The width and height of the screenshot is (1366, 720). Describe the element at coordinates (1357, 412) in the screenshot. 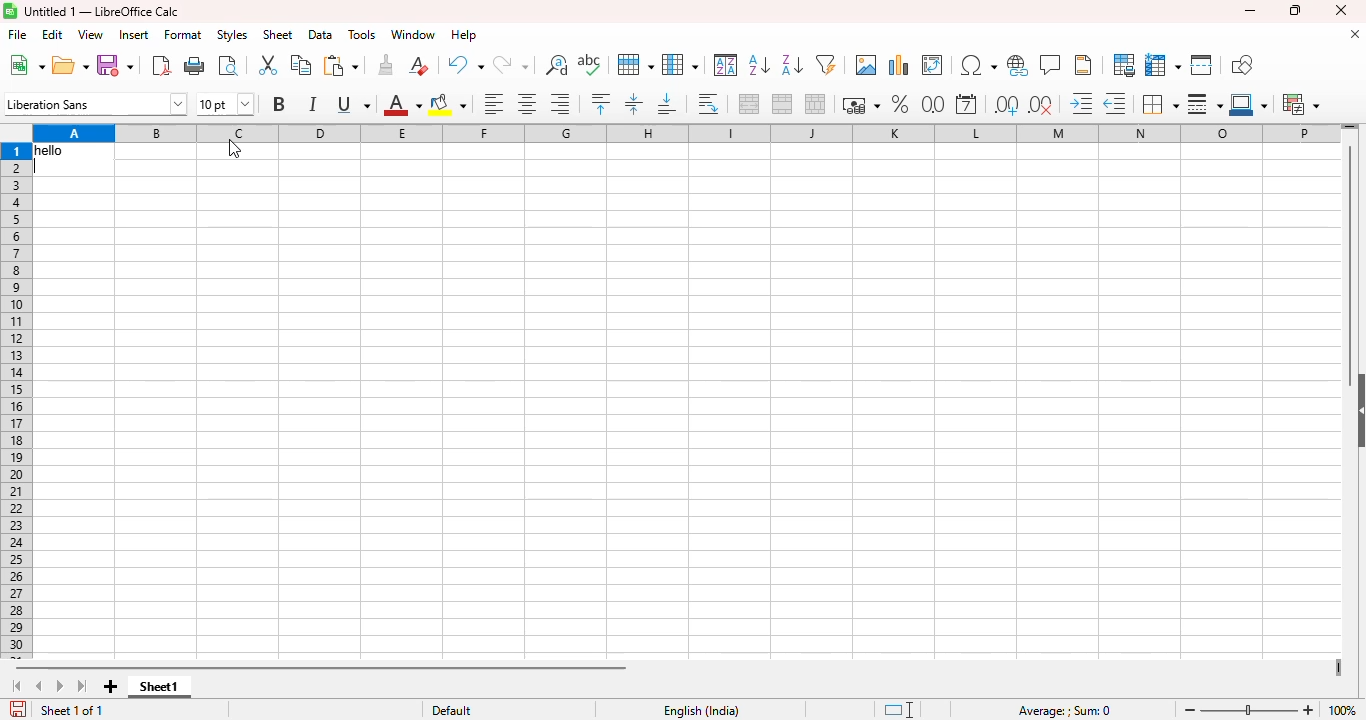

I see `show` at that location.